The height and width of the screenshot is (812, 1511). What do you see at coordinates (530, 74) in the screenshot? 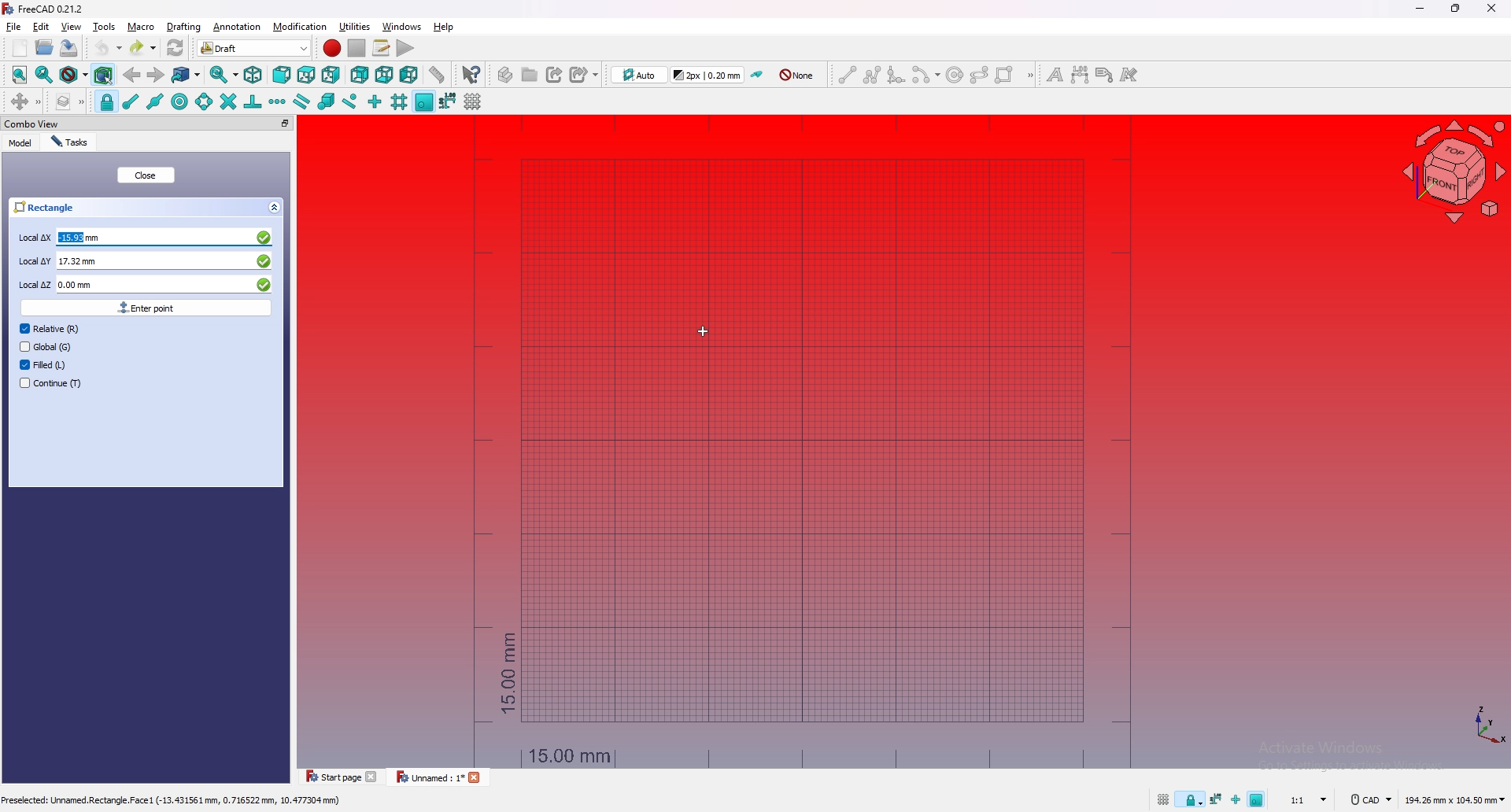
I see `create group` at bounding box center [530, 74].